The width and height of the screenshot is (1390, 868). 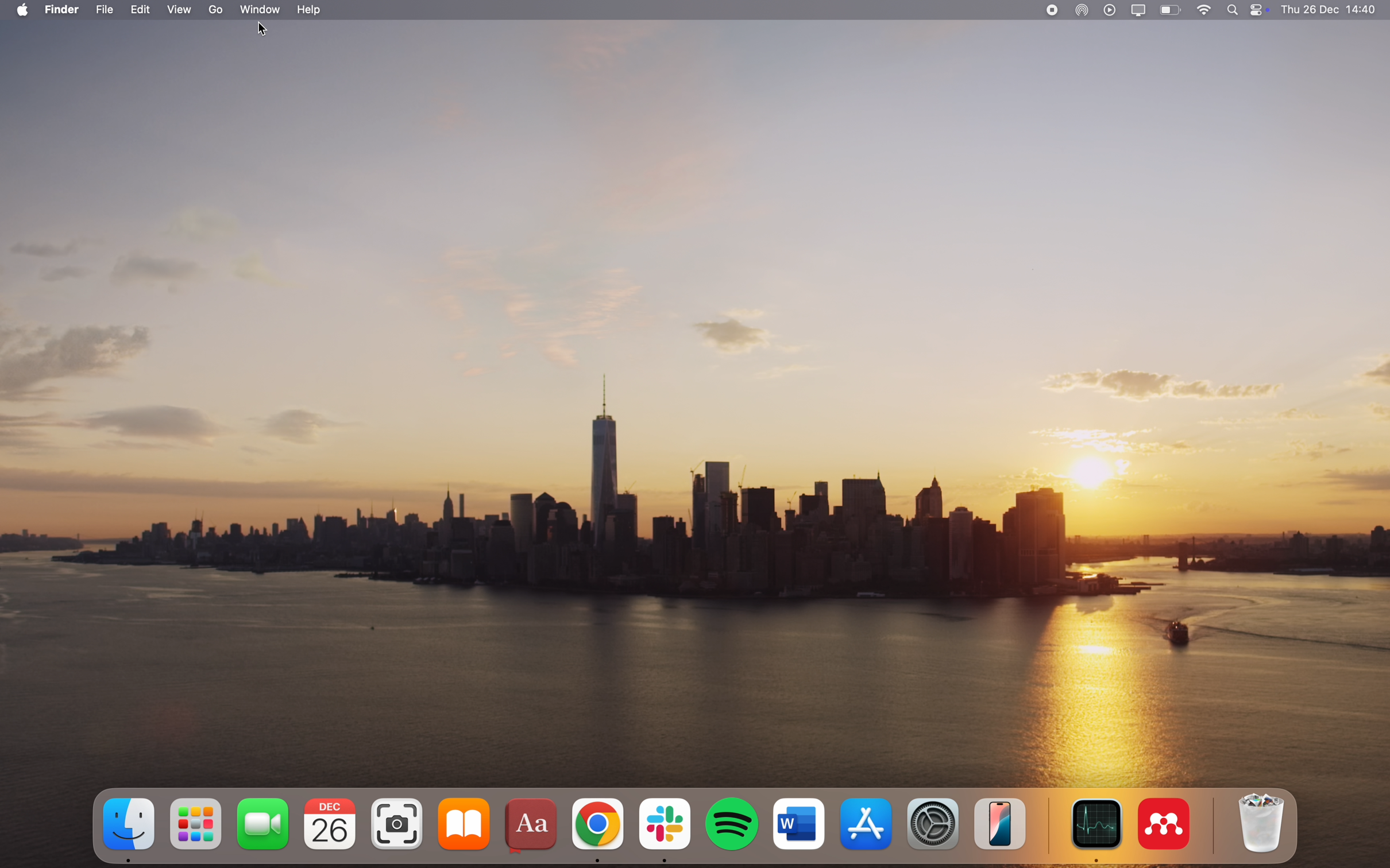 What do you see at coordinates (734, 826) in the screenshot?
I see `Spotify` at bounding box center [734, 826].